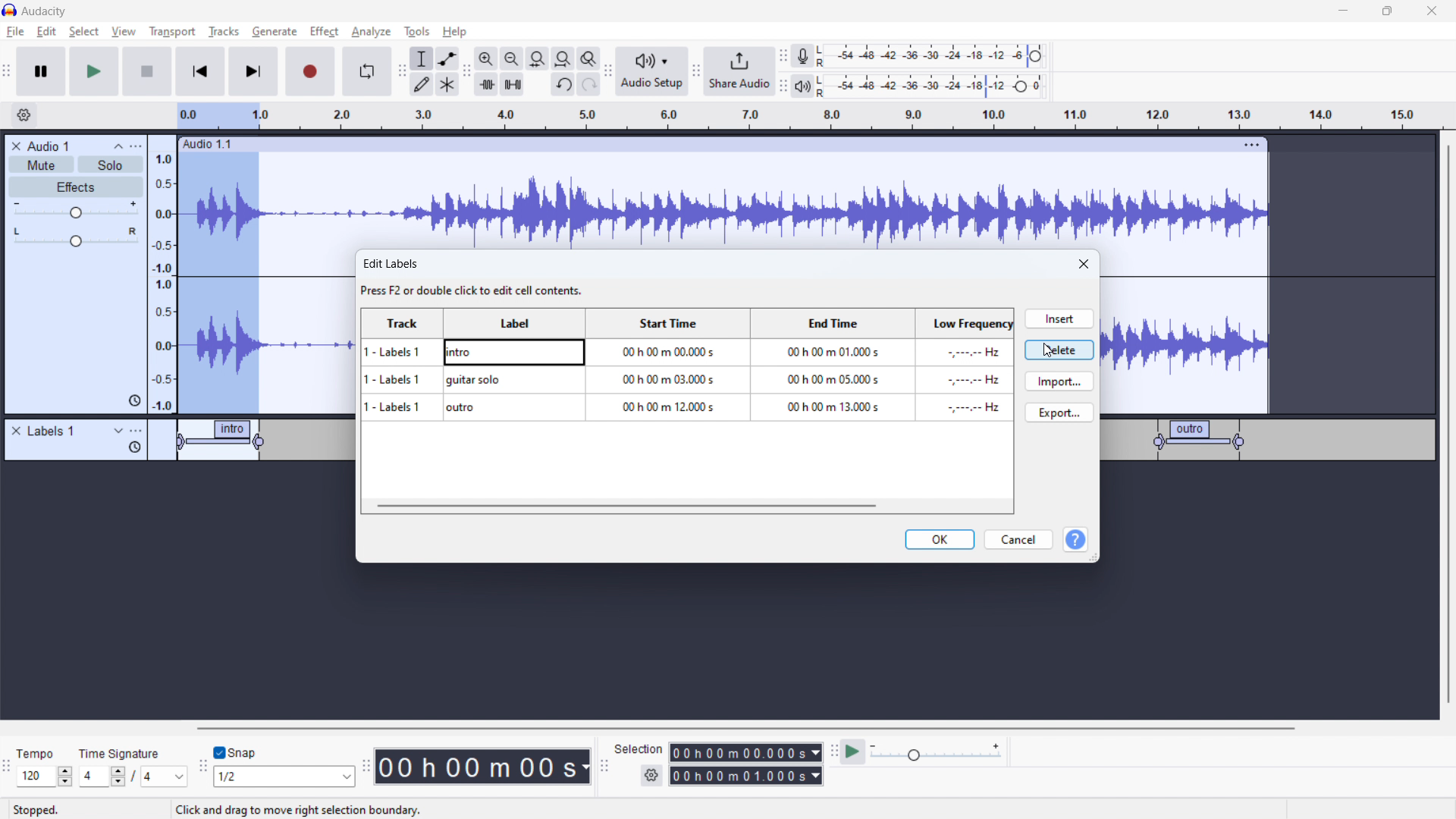 The width and height of the screenshot is (1456, 819). What do you see at coordinates (824, 58) in the screenshot?
I see `left and right channels` at bounding box center [824, 58].